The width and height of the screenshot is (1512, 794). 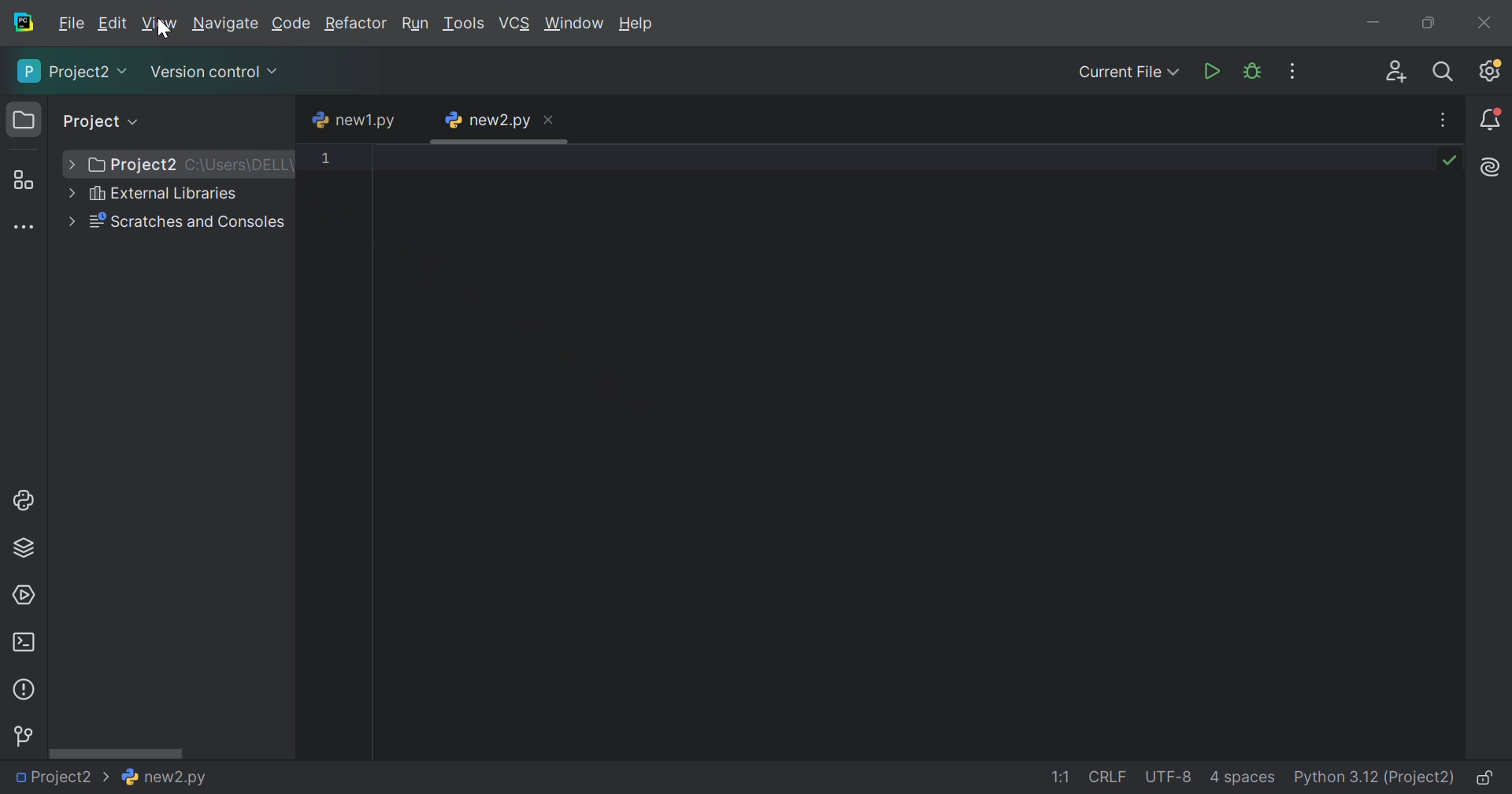 I want to click on Restore down, so click(x=1431, y=24).